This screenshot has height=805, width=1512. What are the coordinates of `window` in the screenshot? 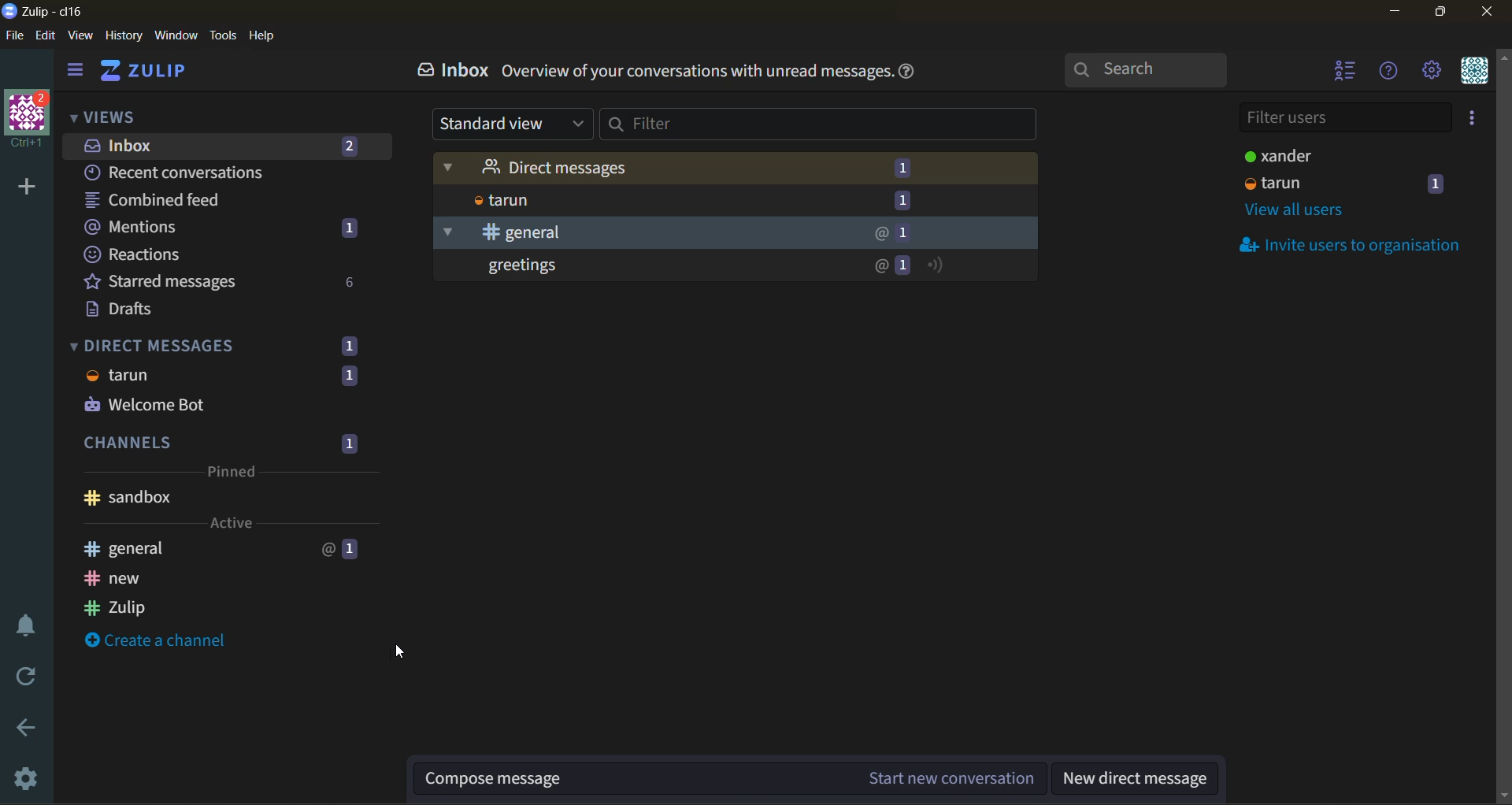 It's located at (179, 35).